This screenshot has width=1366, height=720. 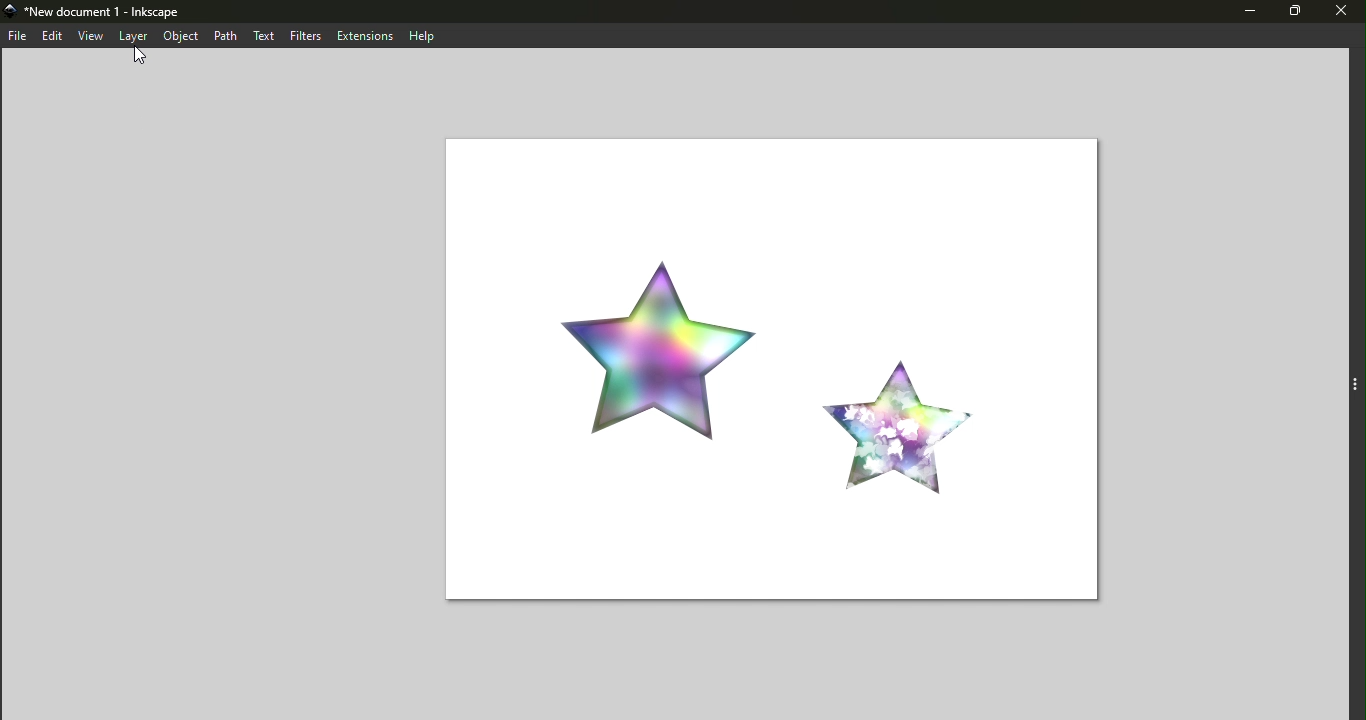 I want to click on help, so click(x=419, y=34).